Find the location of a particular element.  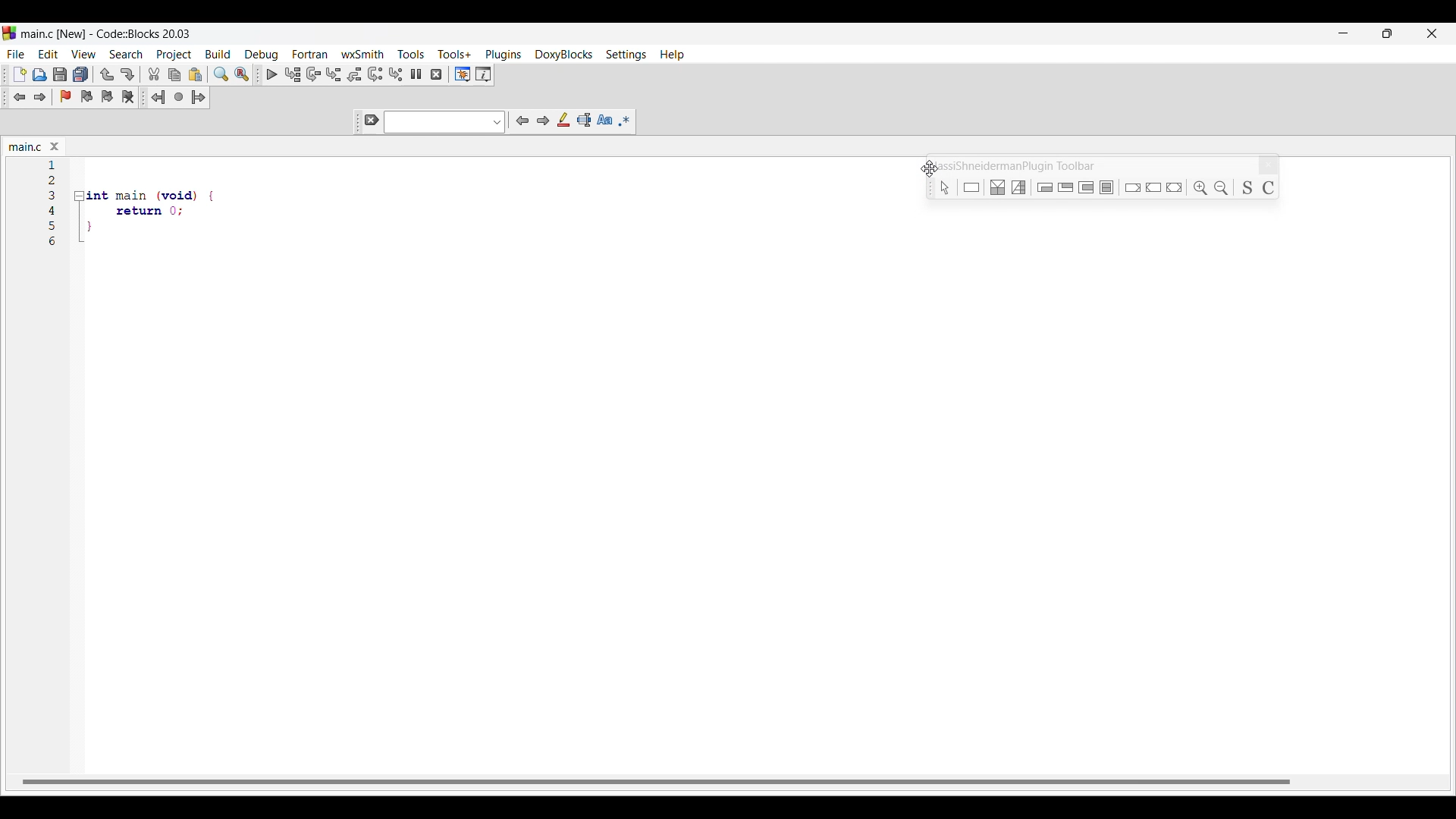

 is located at coordinates (973, 187).